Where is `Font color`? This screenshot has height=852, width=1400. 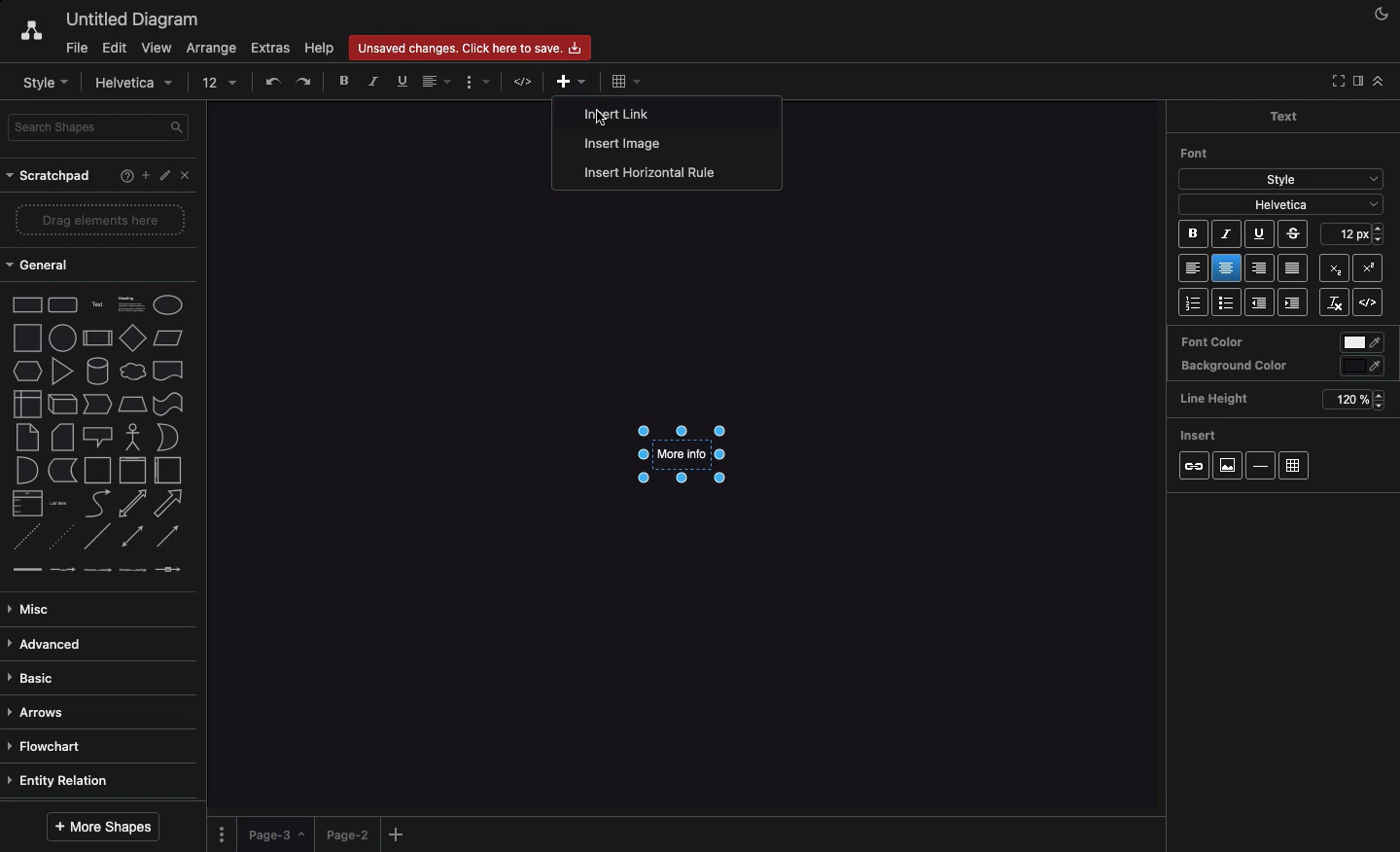 Font color is located at coordinates (1211, 340).